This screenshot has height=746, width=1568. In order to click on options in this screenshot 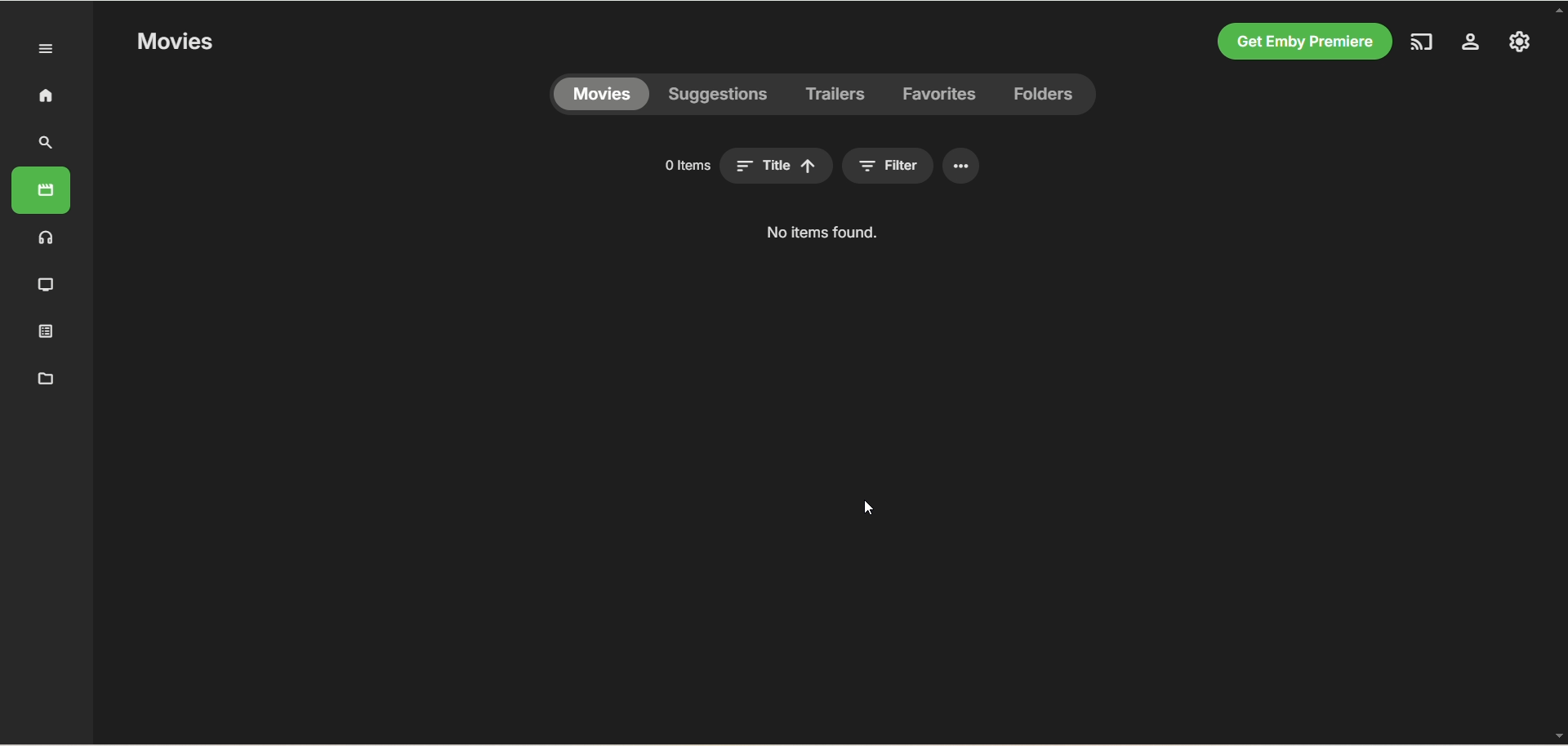, I will do `click(1061, 166)`.